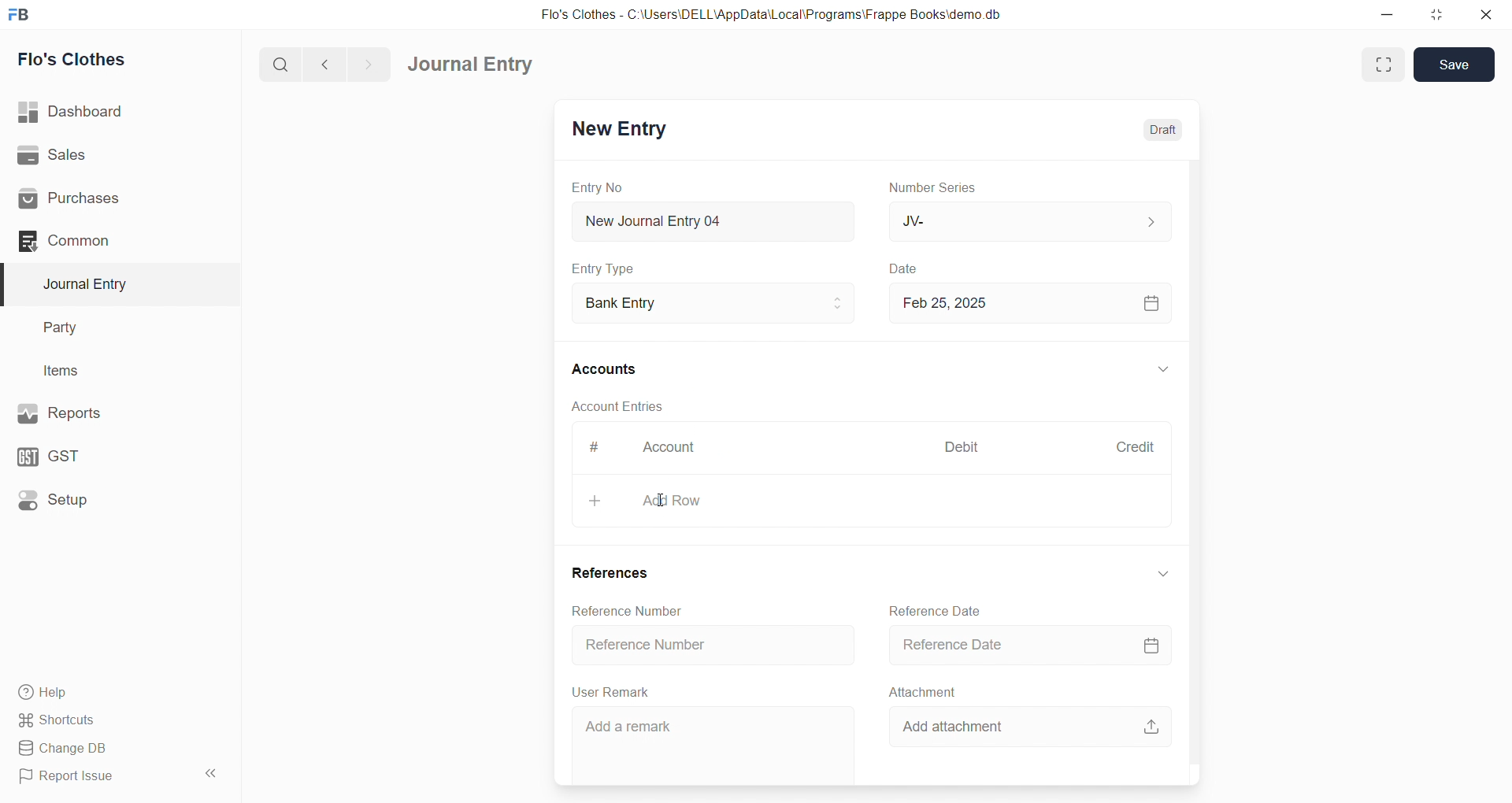 This screenshot has width=1512, height=803. I want to click on Shortcuts, so click(115, 719).